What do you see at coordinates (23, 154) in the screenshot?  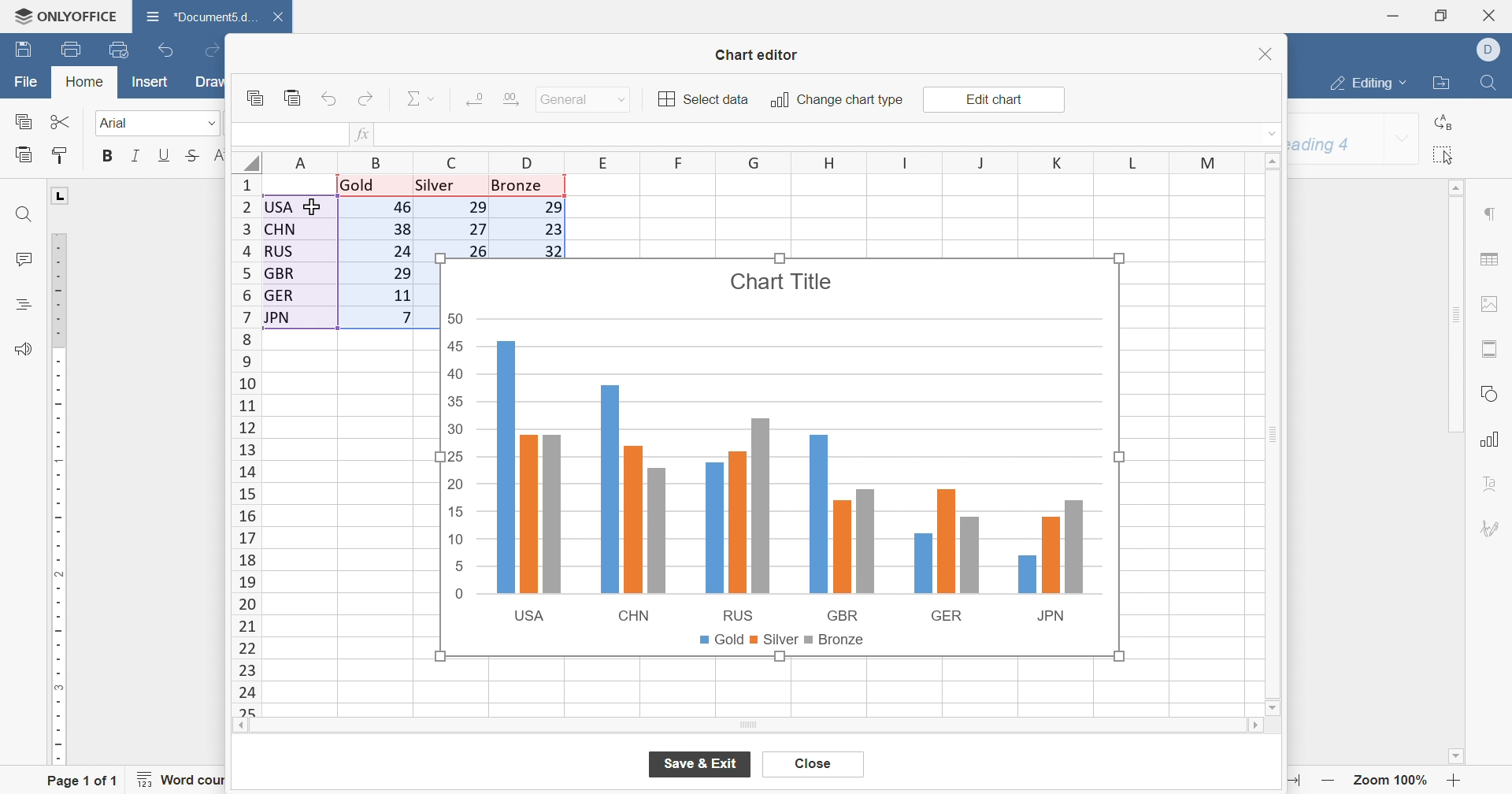 I see `paste` at bounding box center [23, 154].